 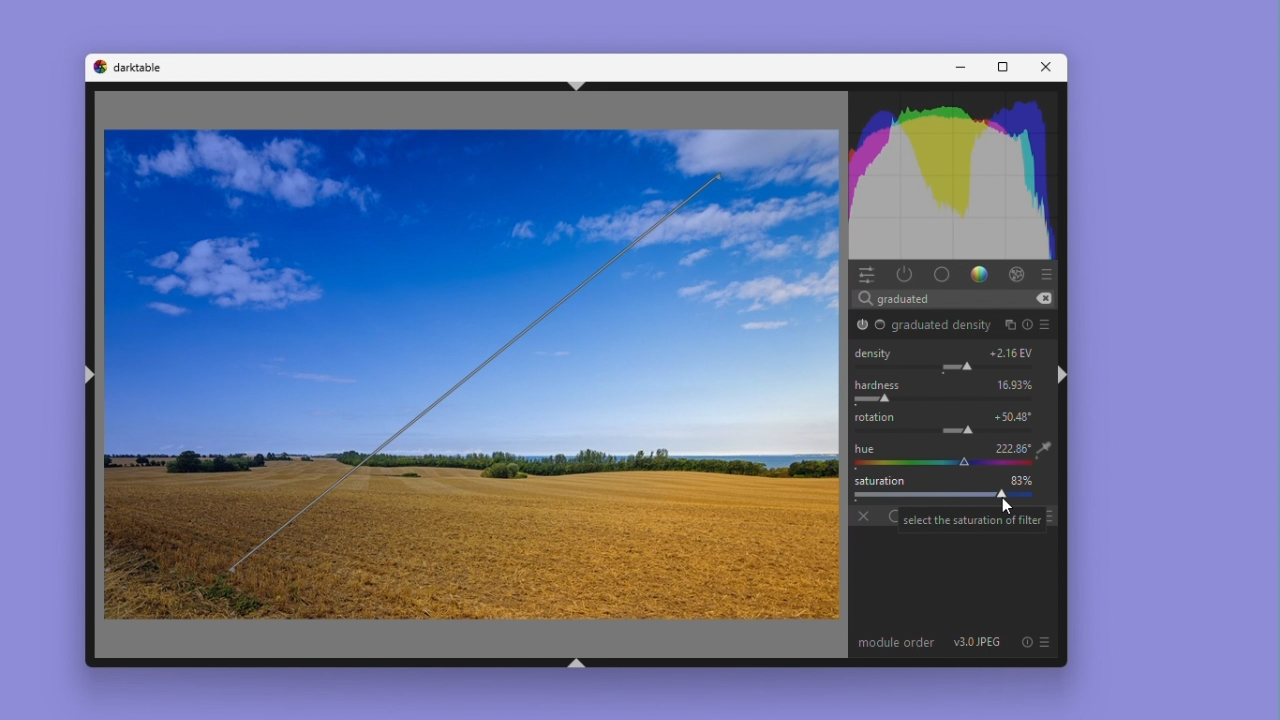 What do you see at coordinates (952, 493) in the screenshot?
I see `Saturation` at bounding box center [952, 493].